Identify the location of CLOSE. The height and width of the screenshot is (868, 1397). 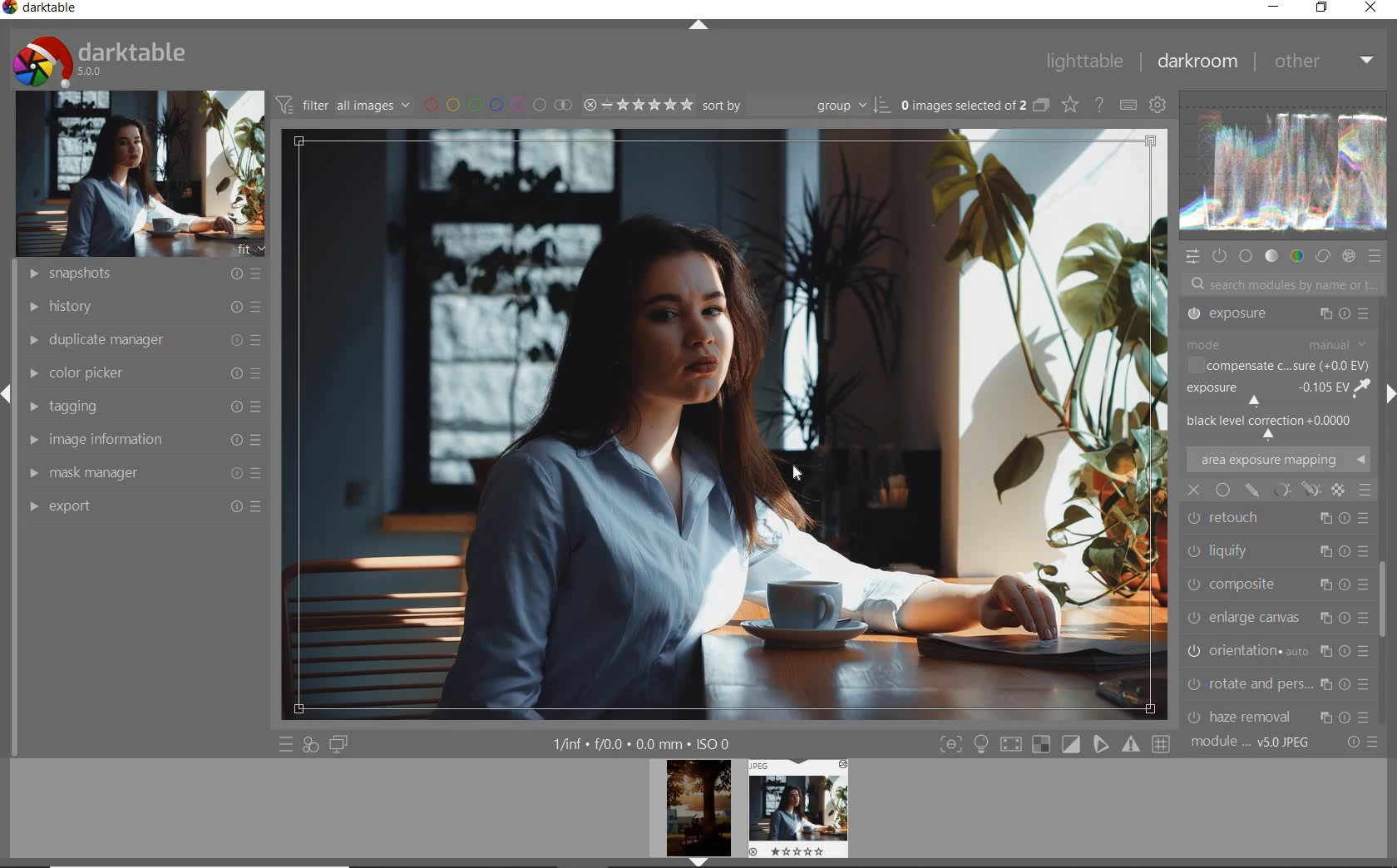
(1370, 8).